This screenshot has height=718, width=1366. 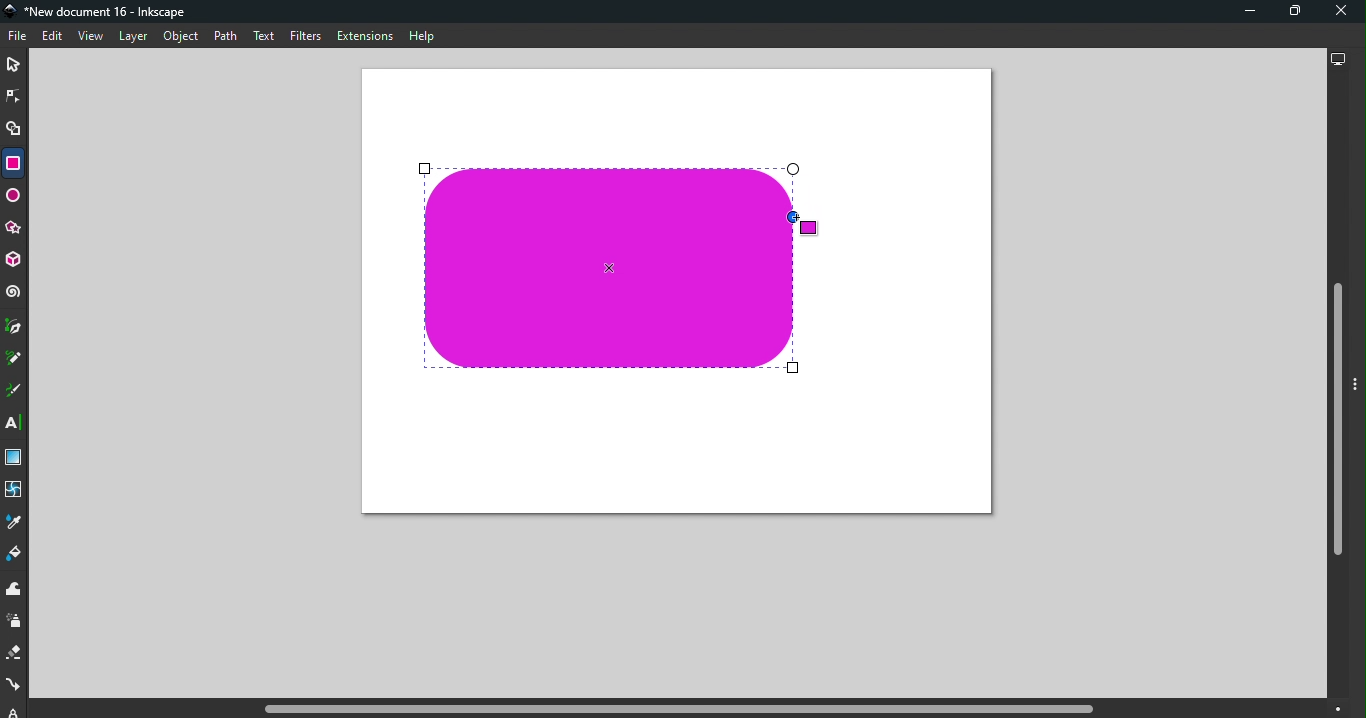 What do you see at coordinates (133, 38) in the screenshot?
I see `Layer` at bounding box center [133, 38].